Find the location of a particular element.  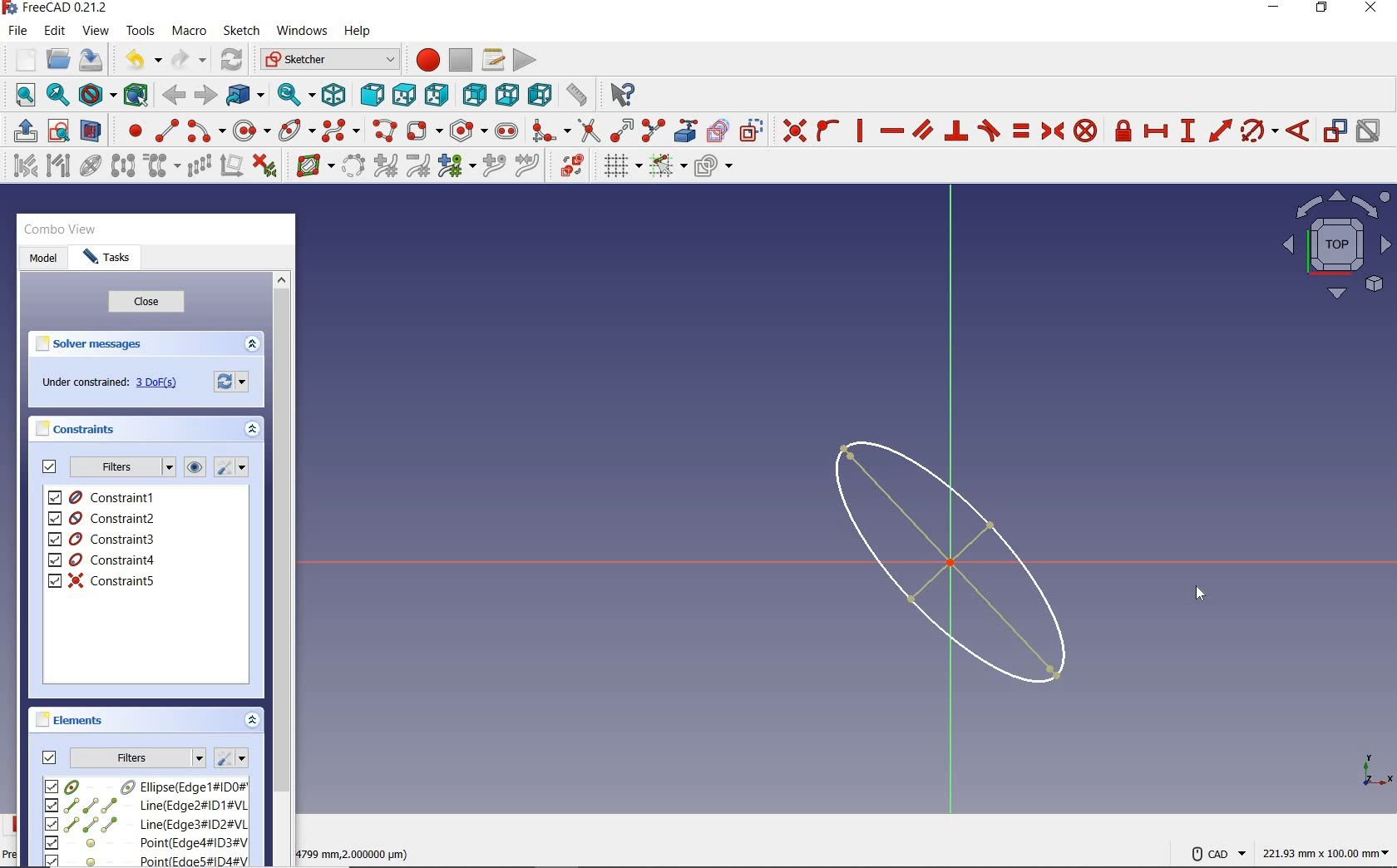

measurement is located at coordinates (1327, 851).